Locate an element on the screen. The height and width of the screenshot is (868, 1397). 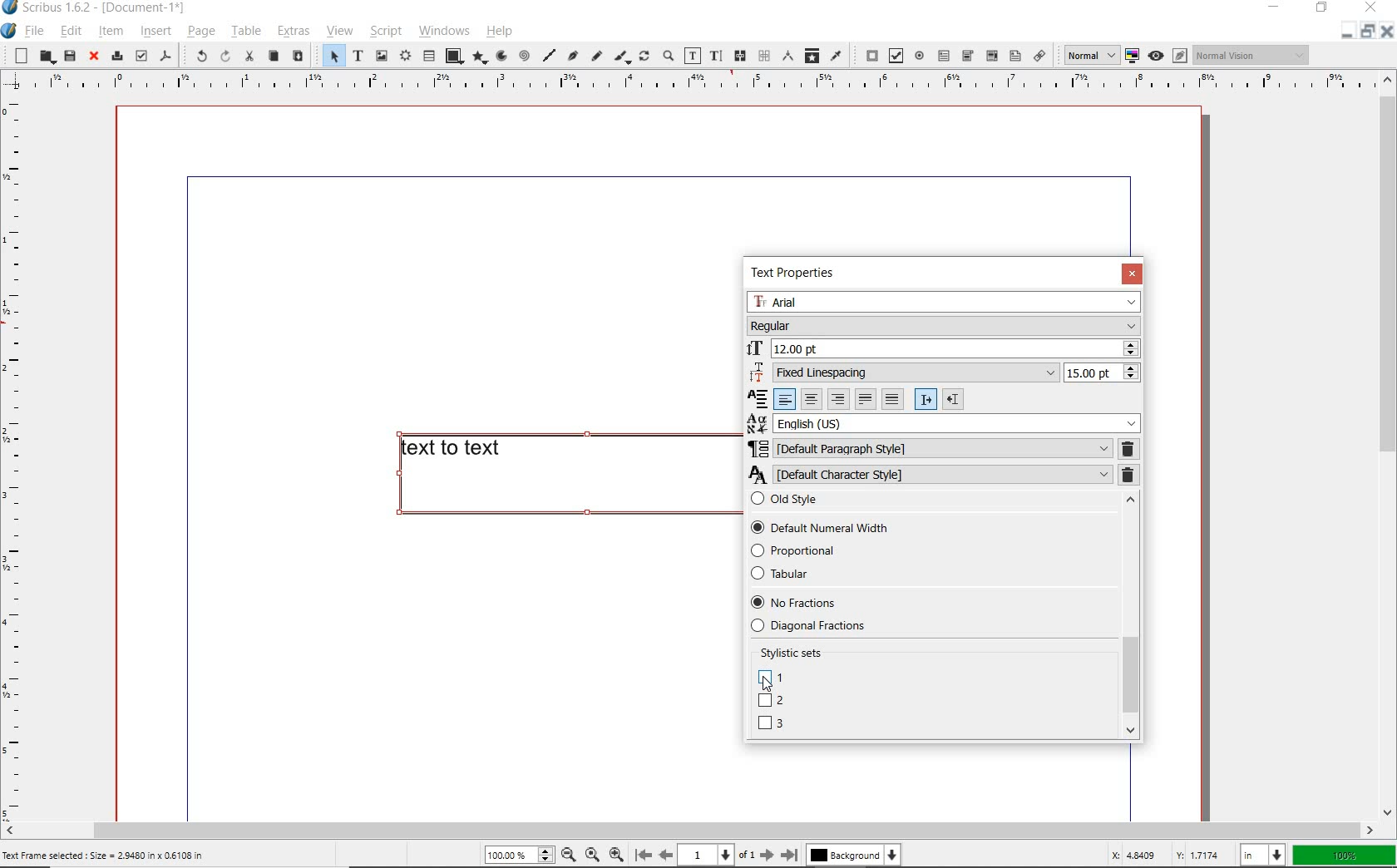
in is located at coordinates (1265, 854).